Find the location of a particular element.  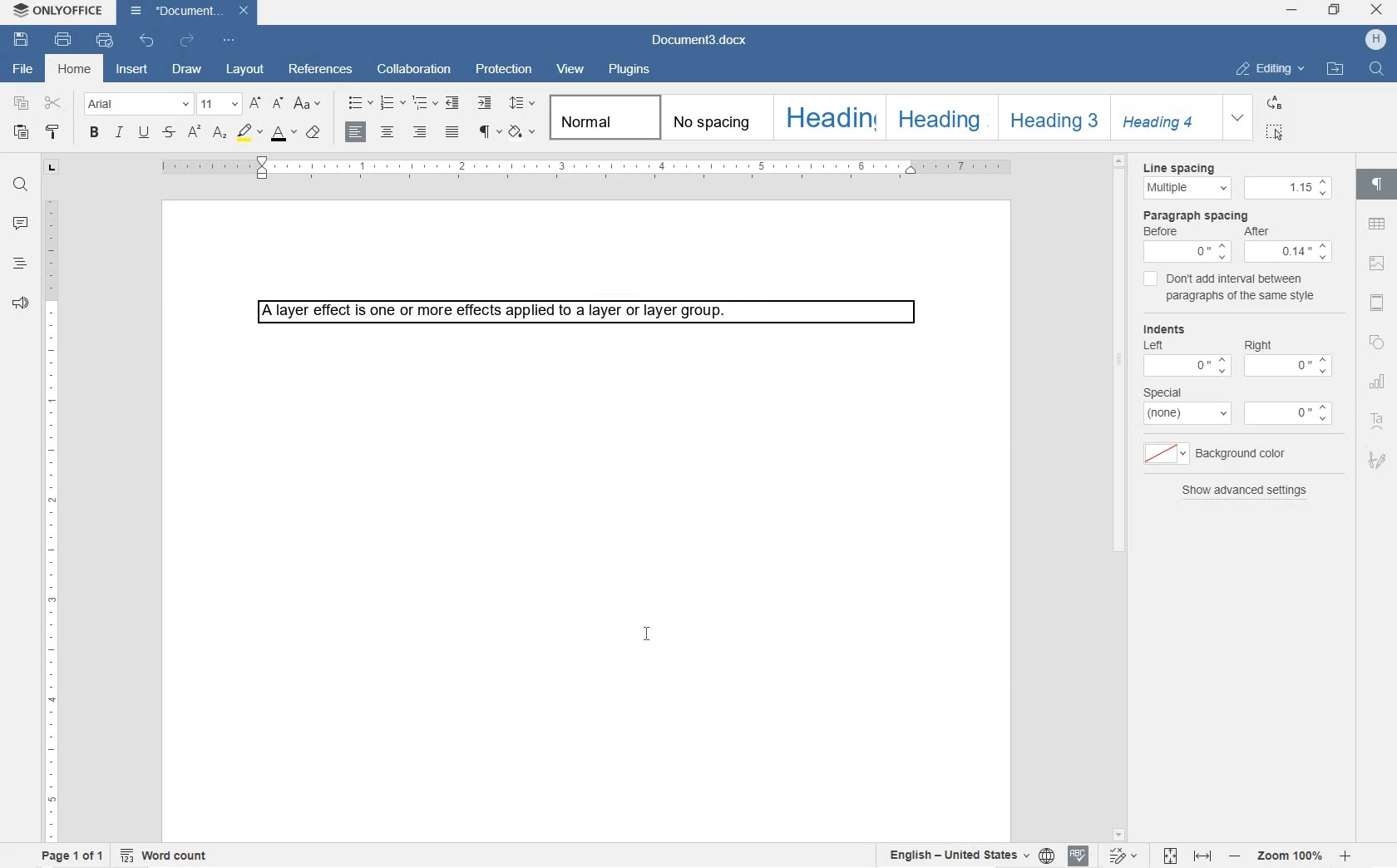

FIND is located at coordinates (19, 185).